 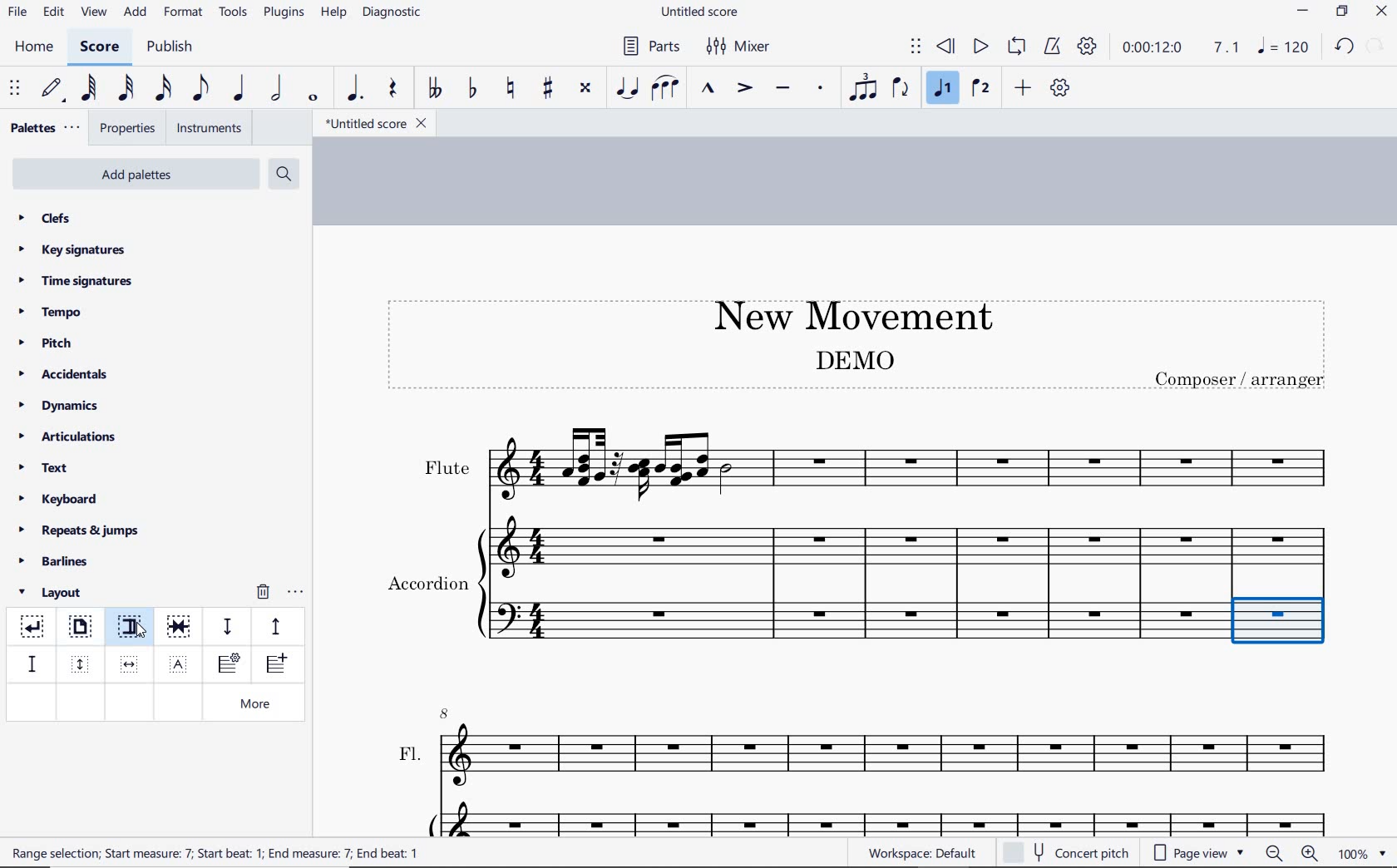 What do you see at coordinates (853, 359) in the screenshot?
I see `text` at bounding box center [853, 359].